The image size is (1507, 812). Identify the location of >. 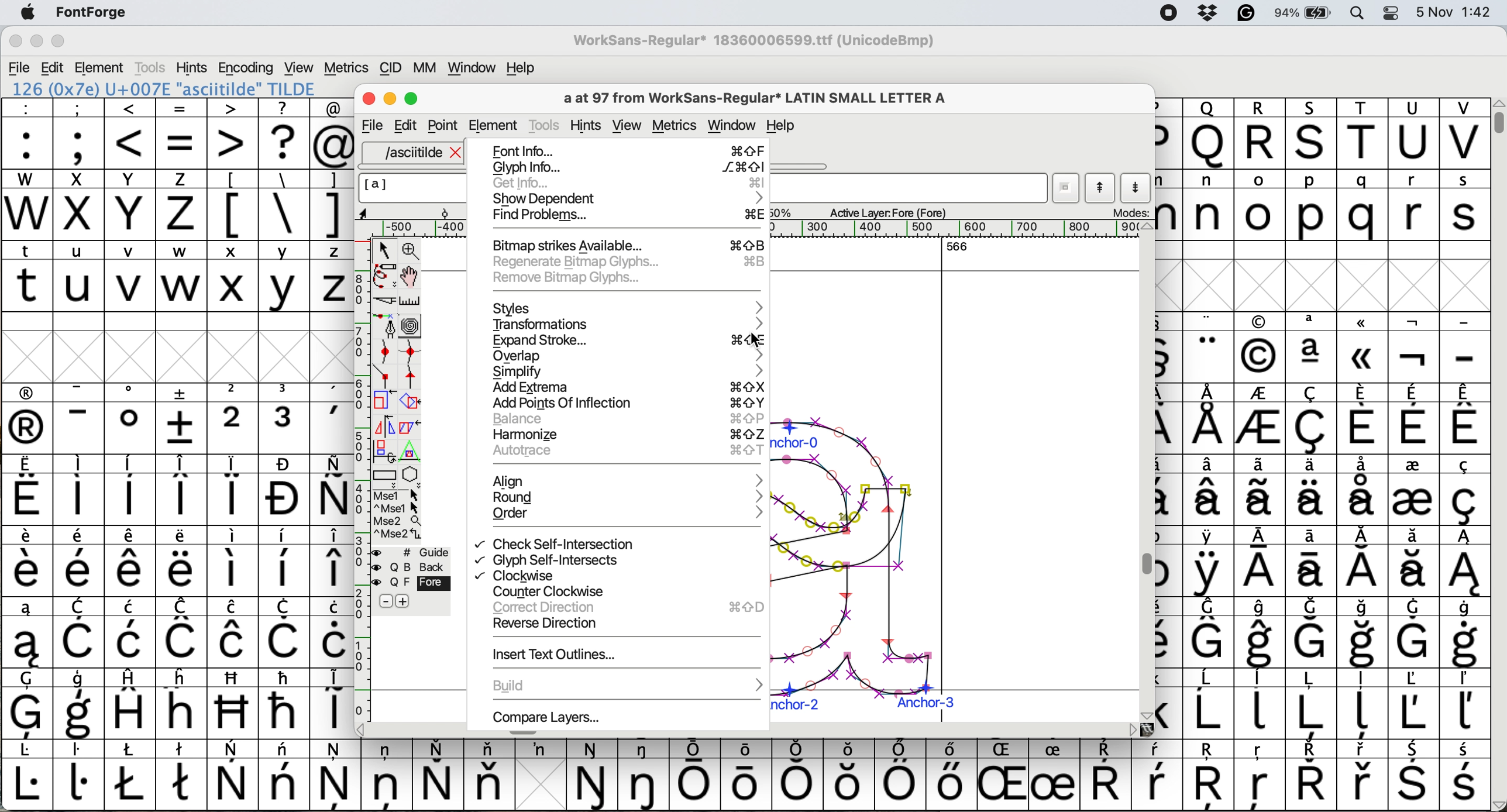
(233, 133).